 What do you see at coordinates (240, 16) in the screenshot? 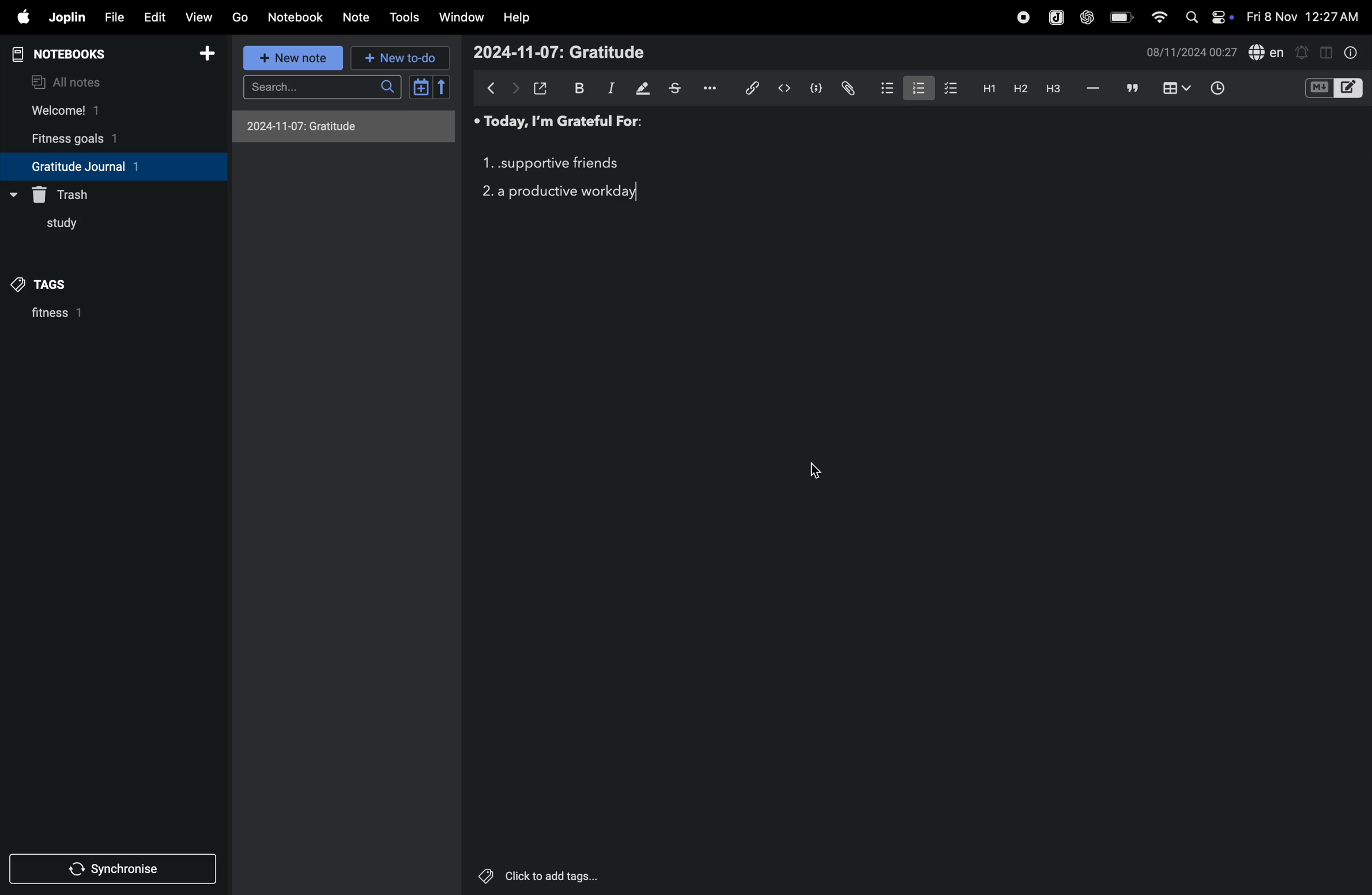
I see `Go` at bounding box center [240, 16].